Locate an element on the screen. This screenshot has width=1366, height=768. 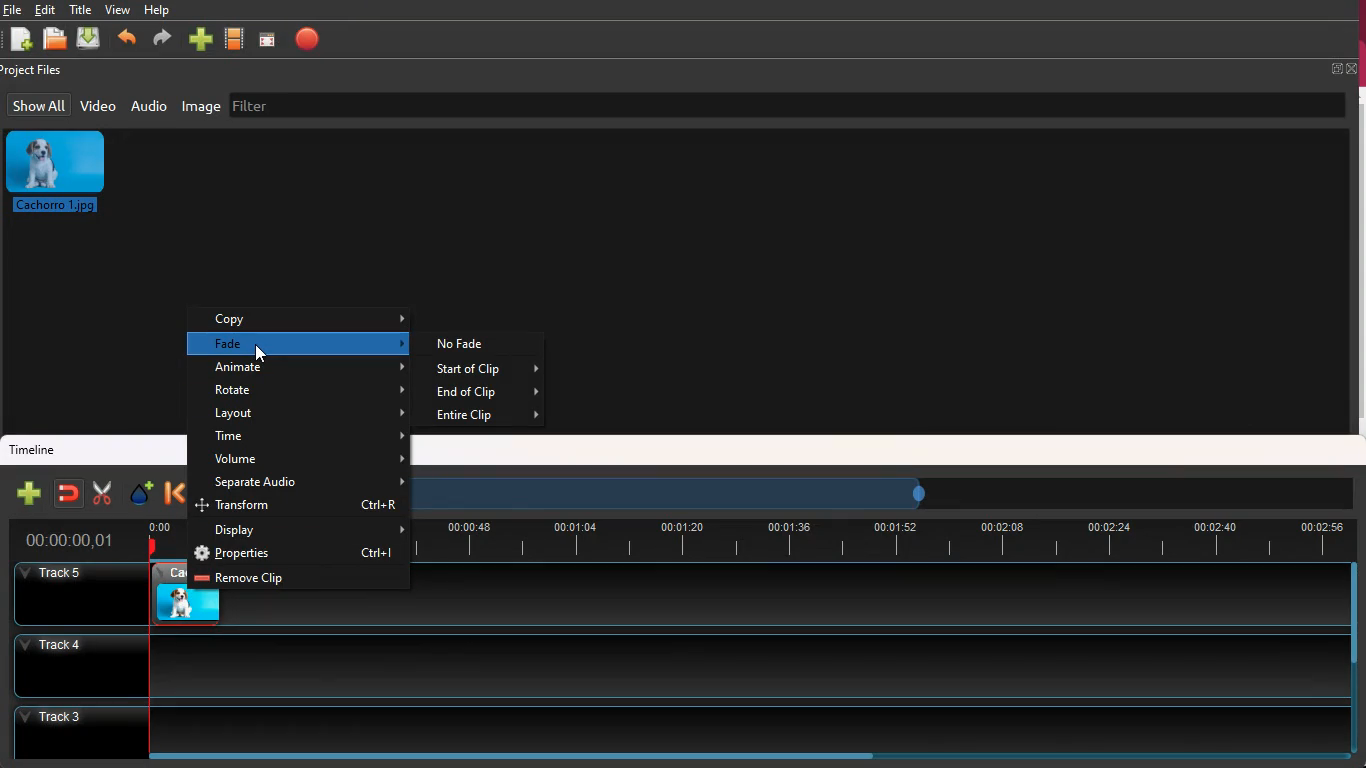
image is located at coordinates (60, 174).